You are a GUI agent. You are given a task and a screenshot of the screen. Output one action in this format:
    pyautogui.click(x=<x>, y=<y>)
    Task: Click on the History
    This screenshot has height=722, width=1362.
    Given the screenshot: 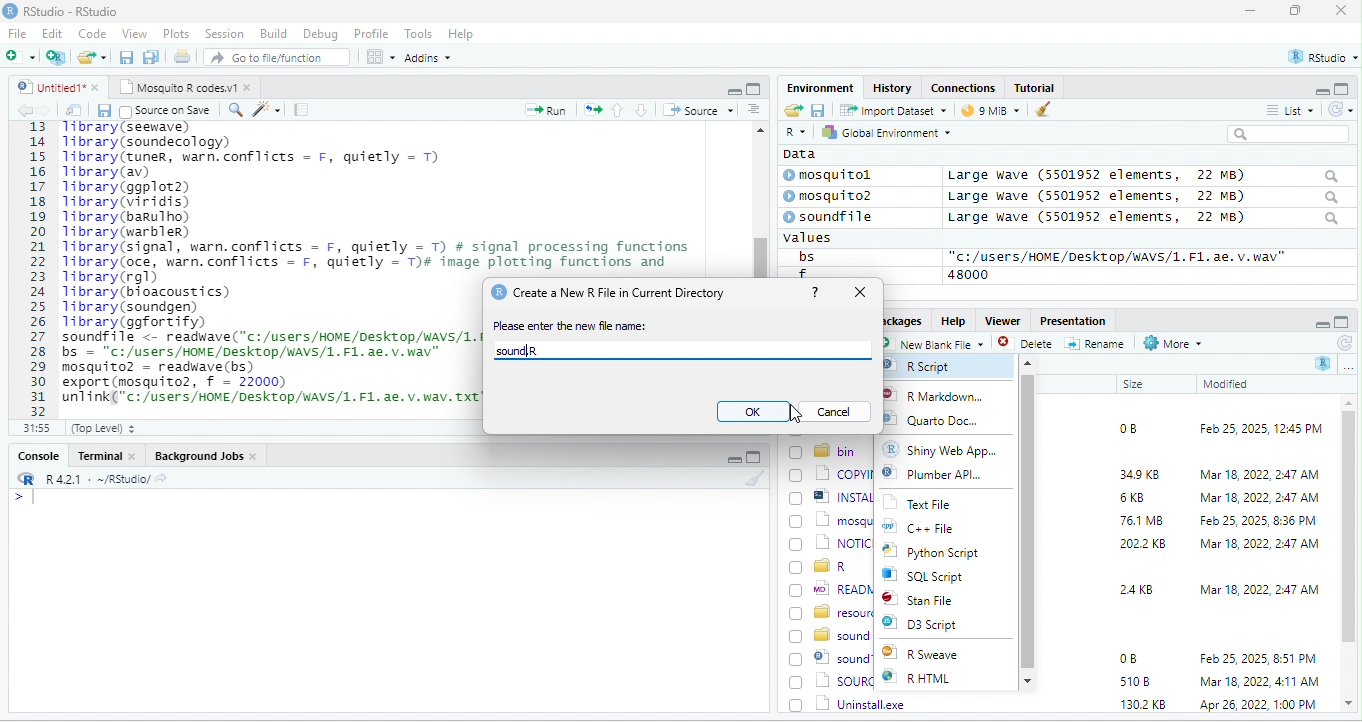 What is the action you would take?
    pyautogui.click(x=893, y=87)
    